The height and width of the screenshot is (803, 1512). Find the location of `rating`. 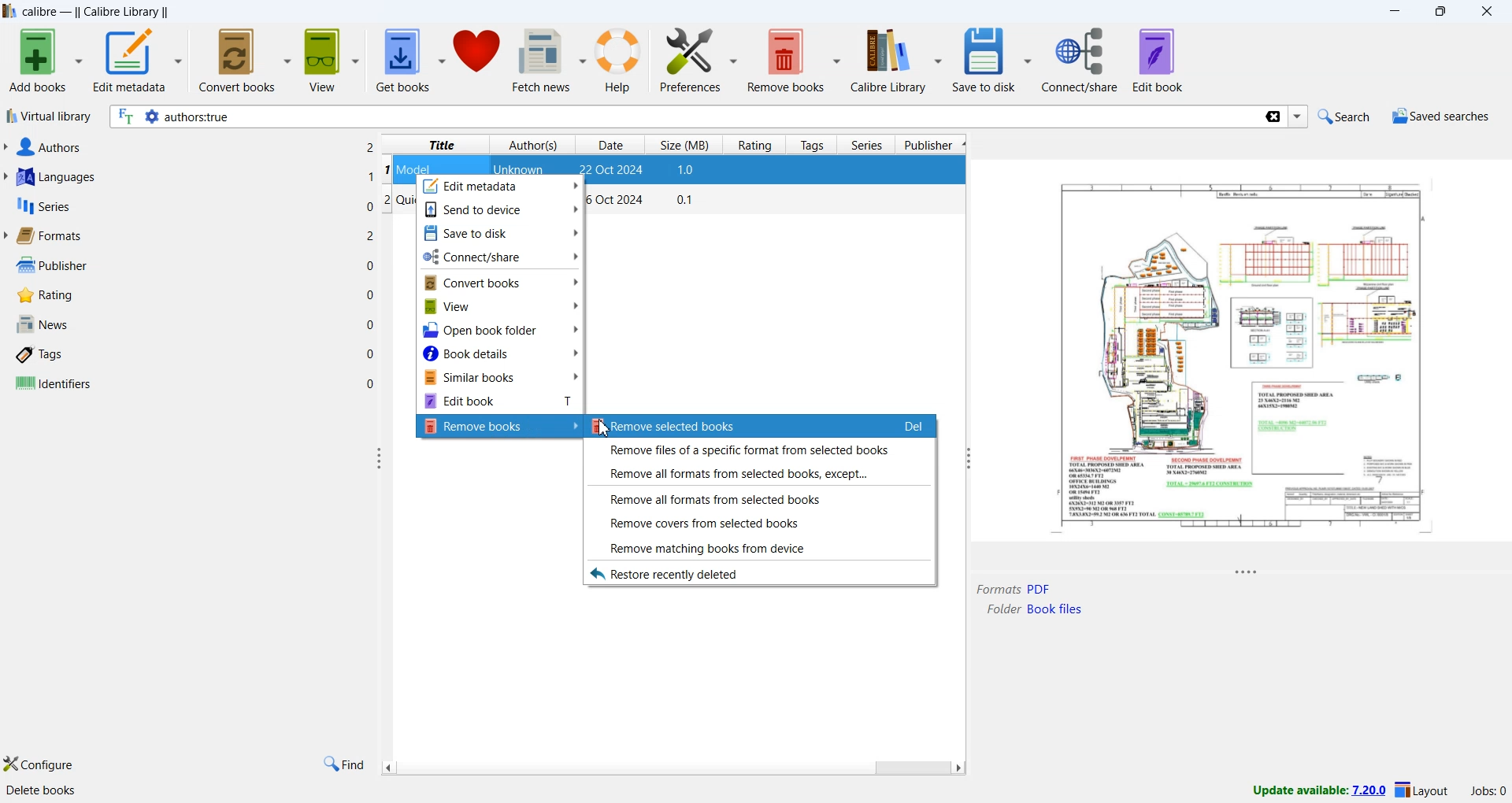

rating is located at coordinates (754, 146).